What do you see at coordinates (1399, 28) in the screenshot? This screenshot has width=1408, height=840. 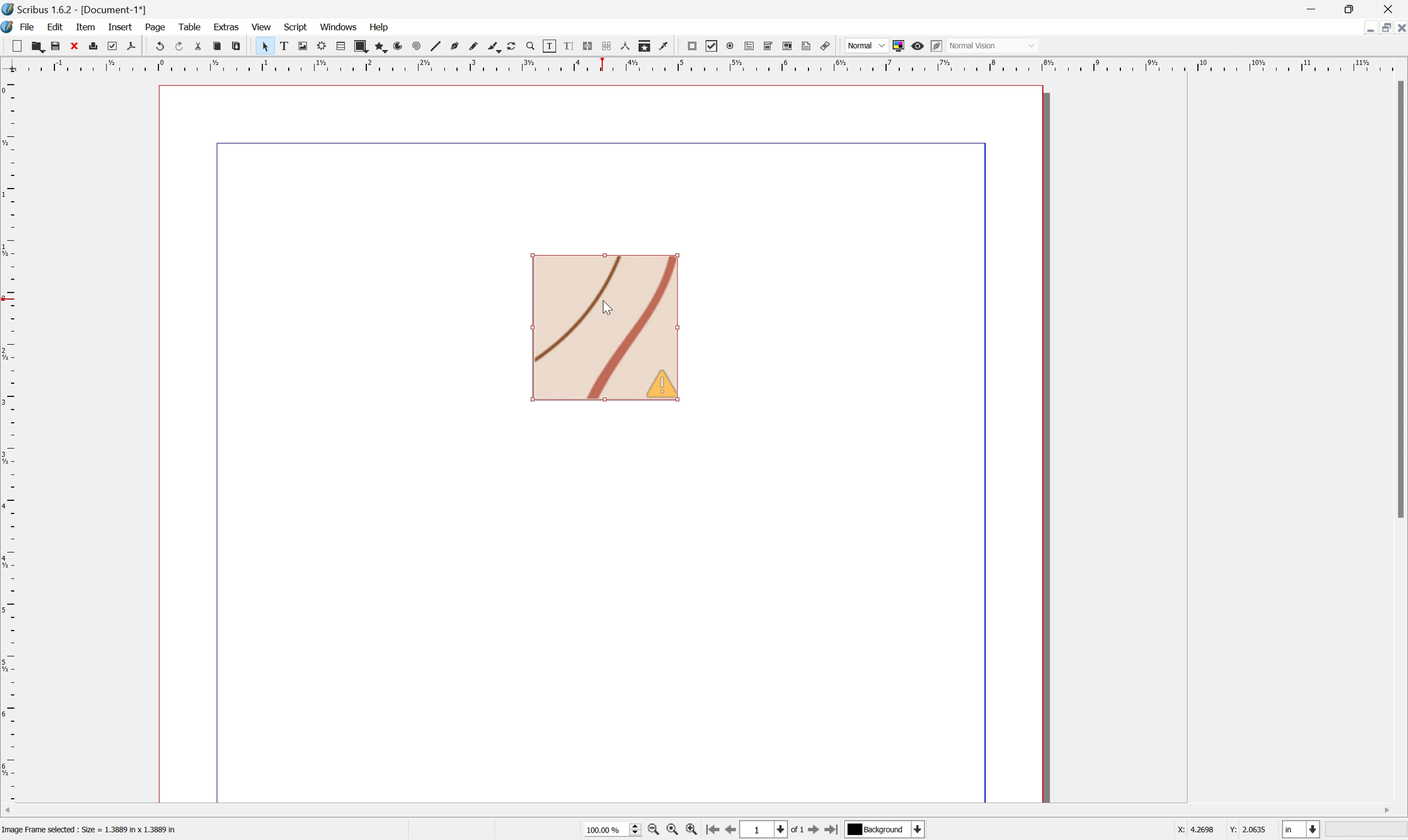 I see `Close` at bounding box center [1399, 28].